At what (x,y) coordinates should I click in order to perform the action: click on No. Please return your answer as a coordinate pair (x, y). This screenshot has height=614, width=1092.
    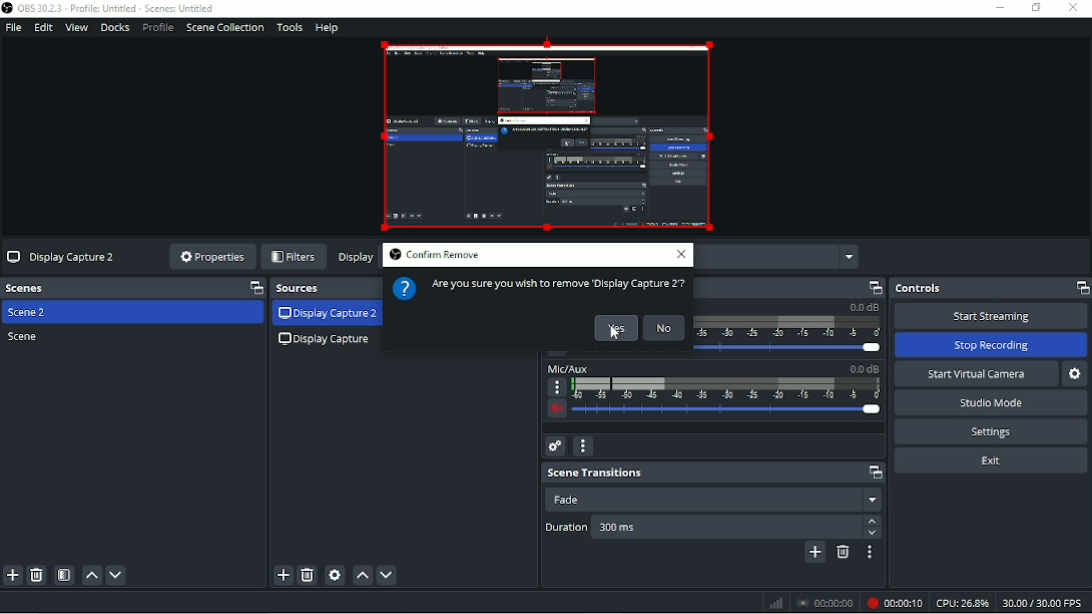
    Looking at the image, I should click on (665, 328).